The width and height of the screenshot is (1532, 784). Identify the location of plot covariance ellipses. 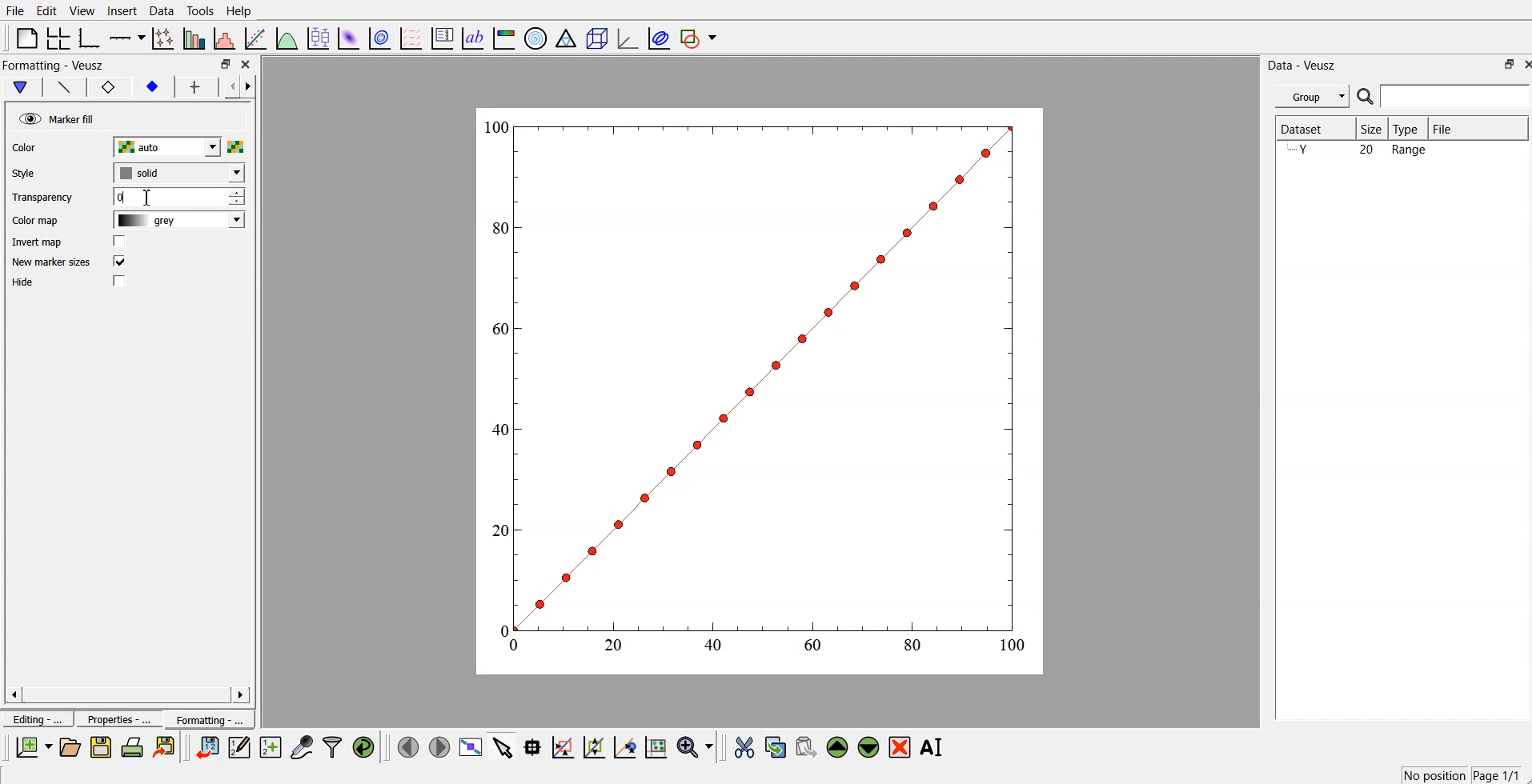
(656, 37).